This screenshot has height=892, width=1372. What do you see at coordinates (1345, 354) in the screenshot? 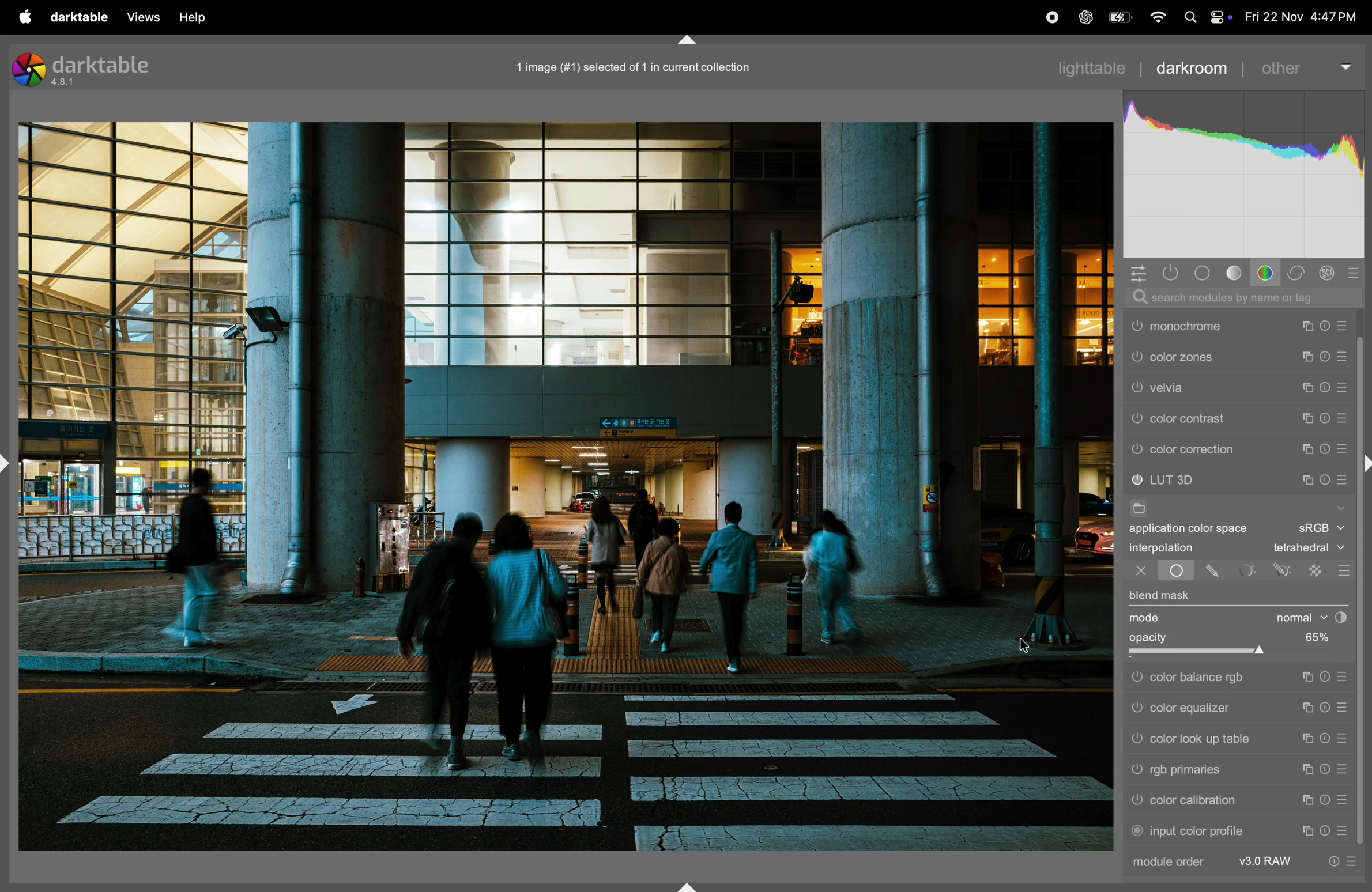
I see `presets` at bounding box center [1345, 354].